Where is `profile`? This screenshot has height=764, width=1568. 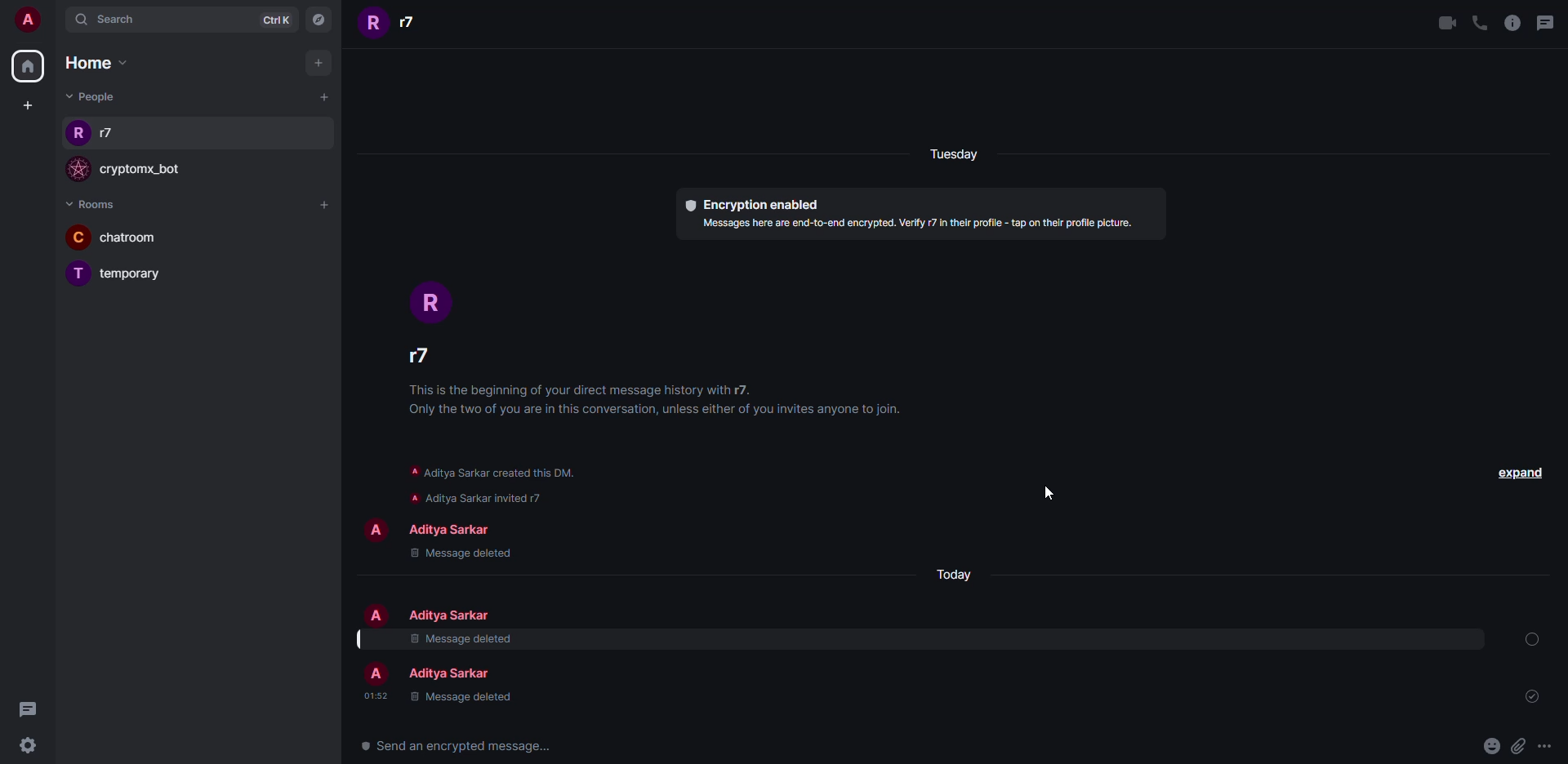
profile is located at coordinates (79, 273).